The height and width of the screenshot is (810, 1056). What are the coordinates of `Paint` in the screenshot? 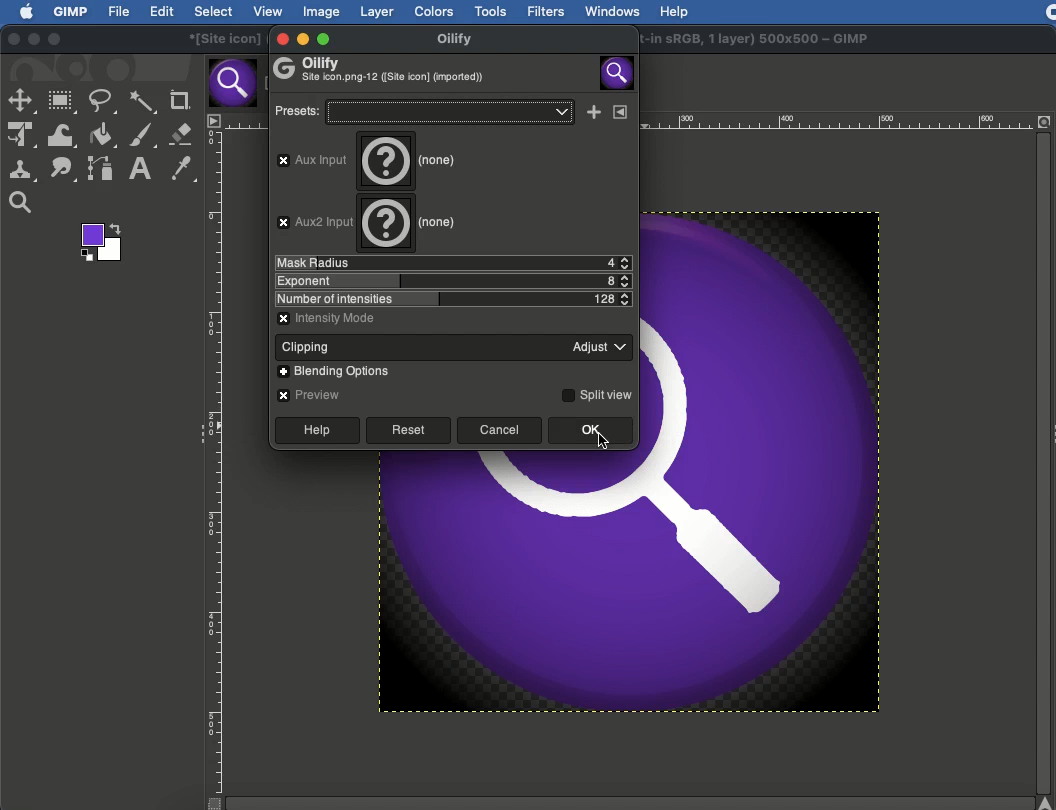 It's located at (144, 135).